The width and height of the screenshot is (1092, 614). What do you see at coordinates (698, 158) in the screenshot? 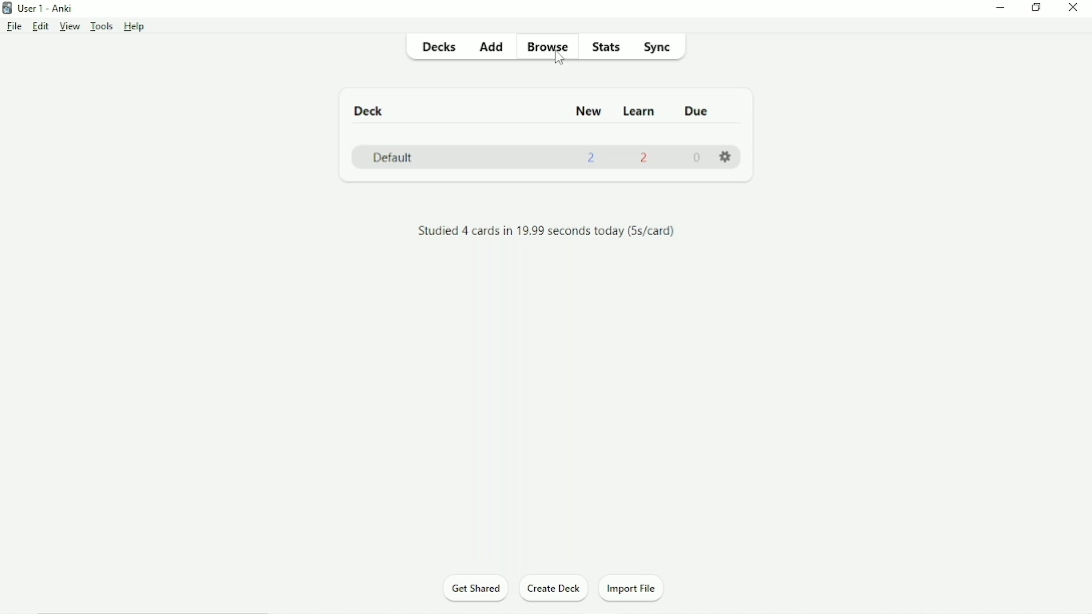
I see `0` at bounding box center [698, 158].